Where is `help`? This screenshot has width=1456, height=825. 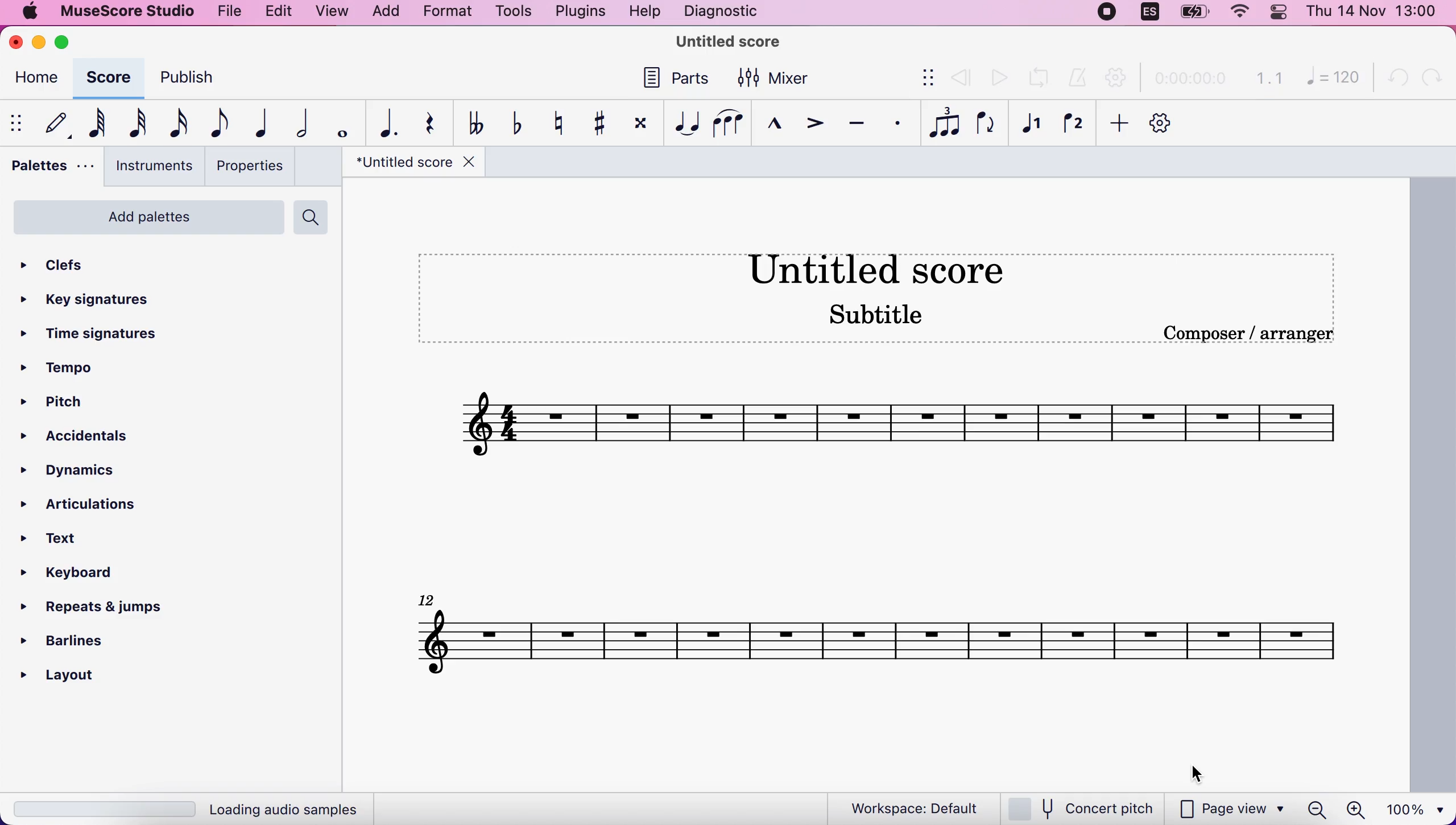
help is located at coordinates (646, 13).